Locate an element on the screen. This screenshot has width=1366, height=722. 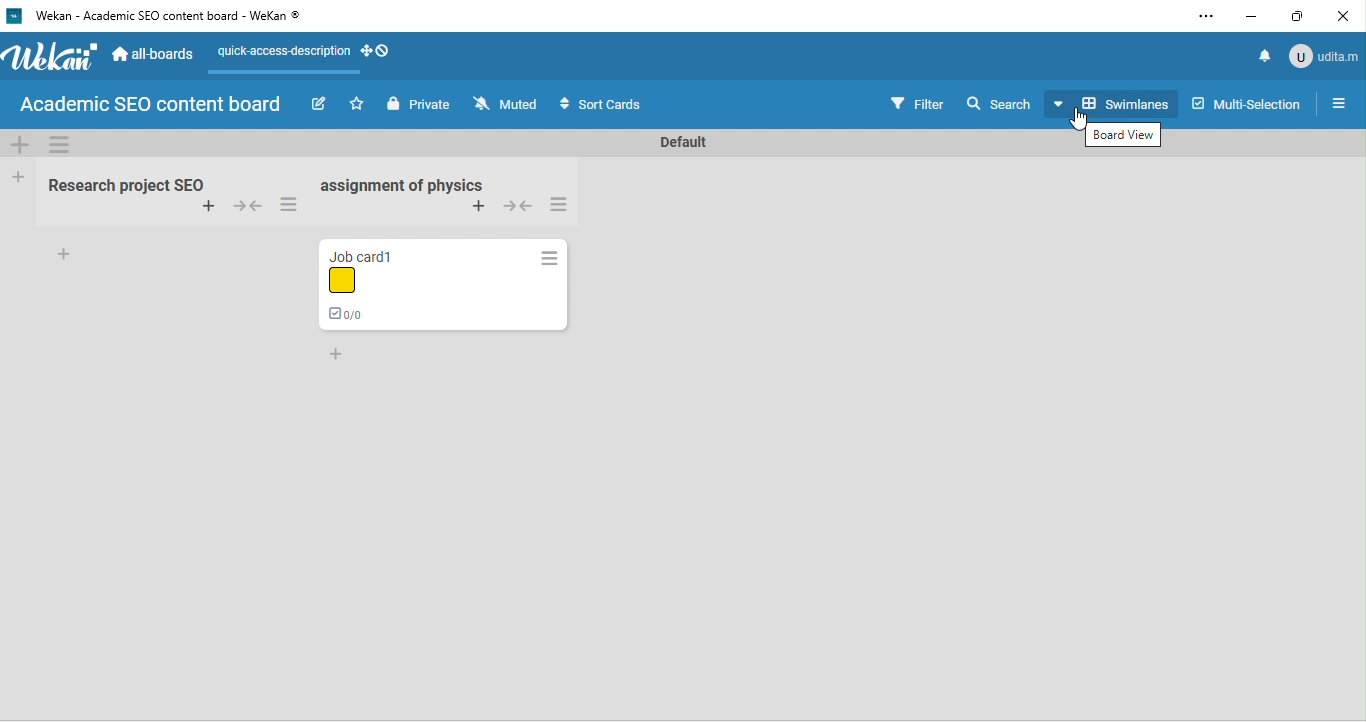
account is located at coordinates (1325, 57).